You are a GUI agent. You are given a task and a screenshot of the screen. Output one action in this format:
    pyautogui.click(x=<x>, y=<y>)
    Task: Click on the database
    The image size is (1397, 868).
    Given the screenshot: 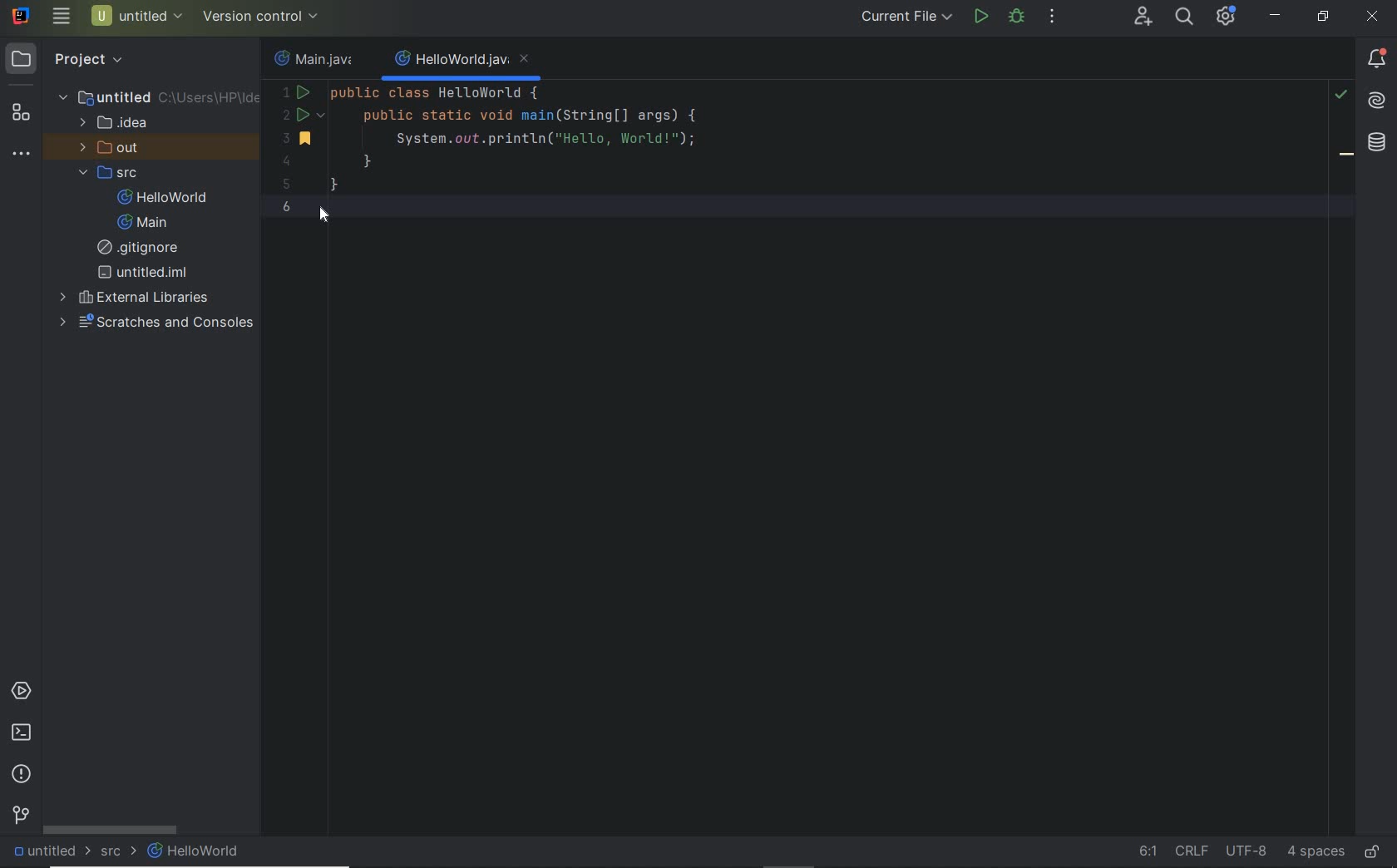 What is the action you would take?
    pyautogui.click(x=1377, y=145)
    